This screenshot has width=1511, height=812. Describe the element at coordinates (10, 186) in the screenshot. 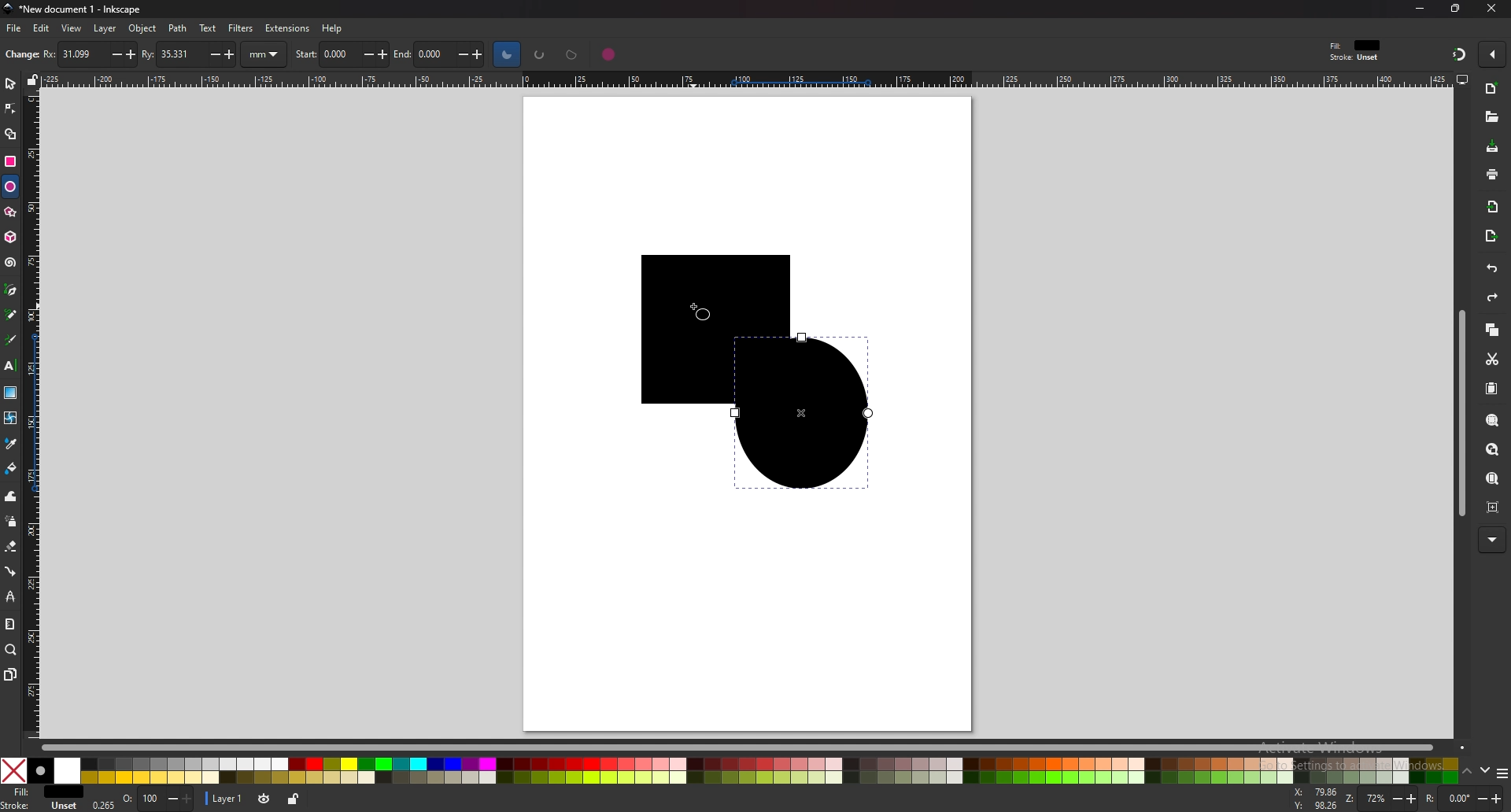

I see `ellipse` at that location.